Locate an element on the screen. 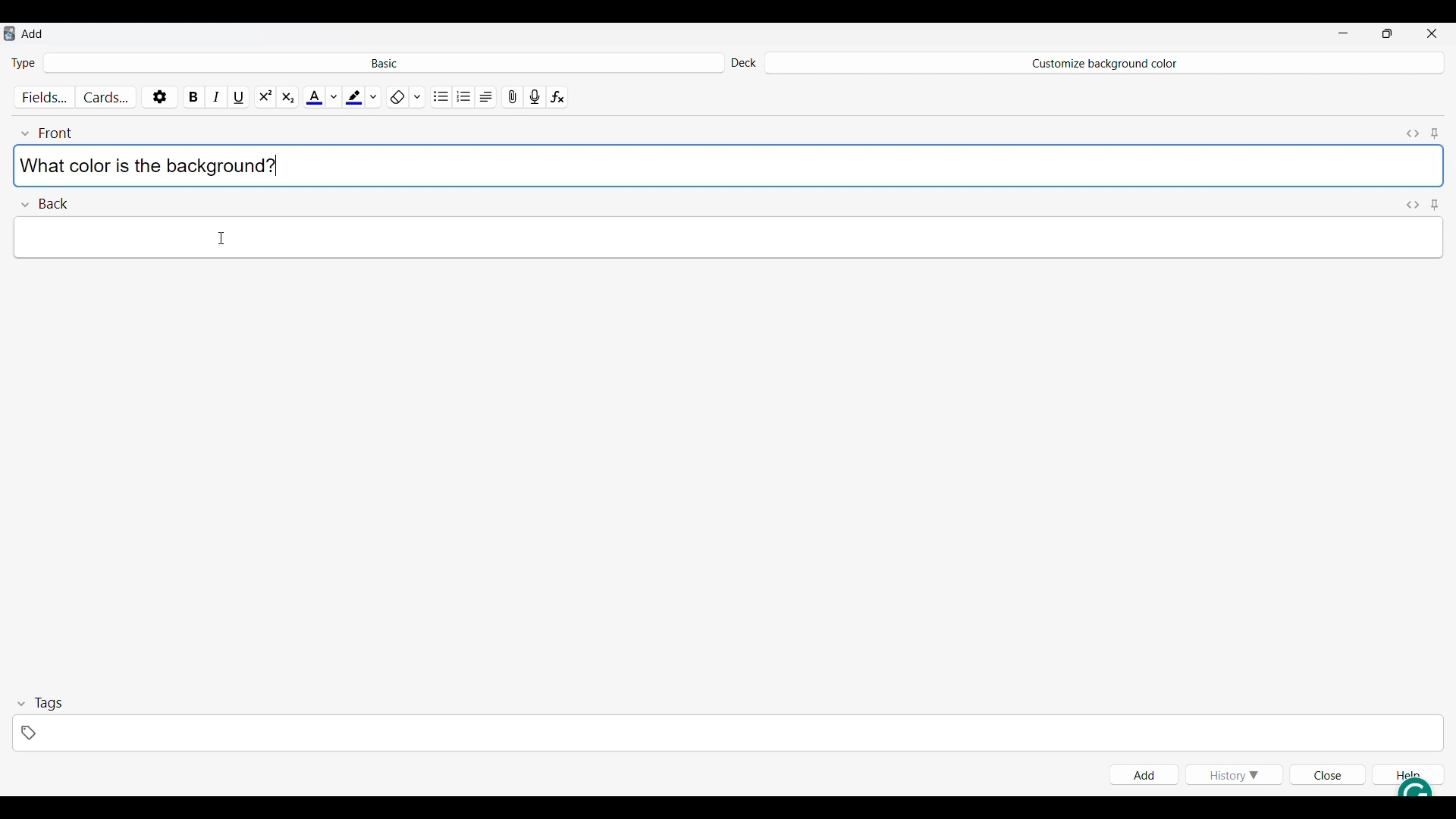 Image resolution: width=1456 pixels, height=819 pixels.  is located at coordinates (1144, 776).